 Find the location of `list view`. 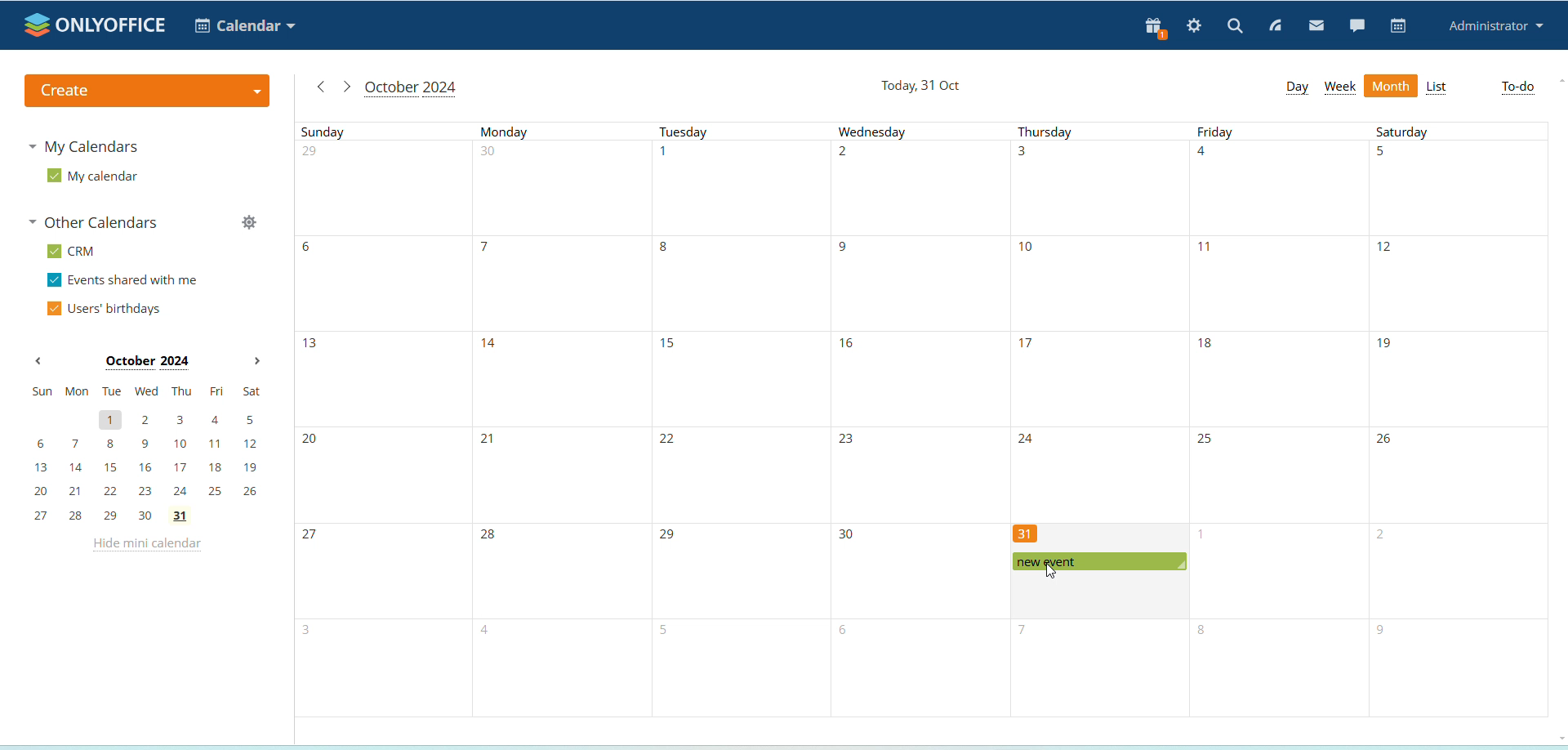

list view is located at coordinates (1437, 88).